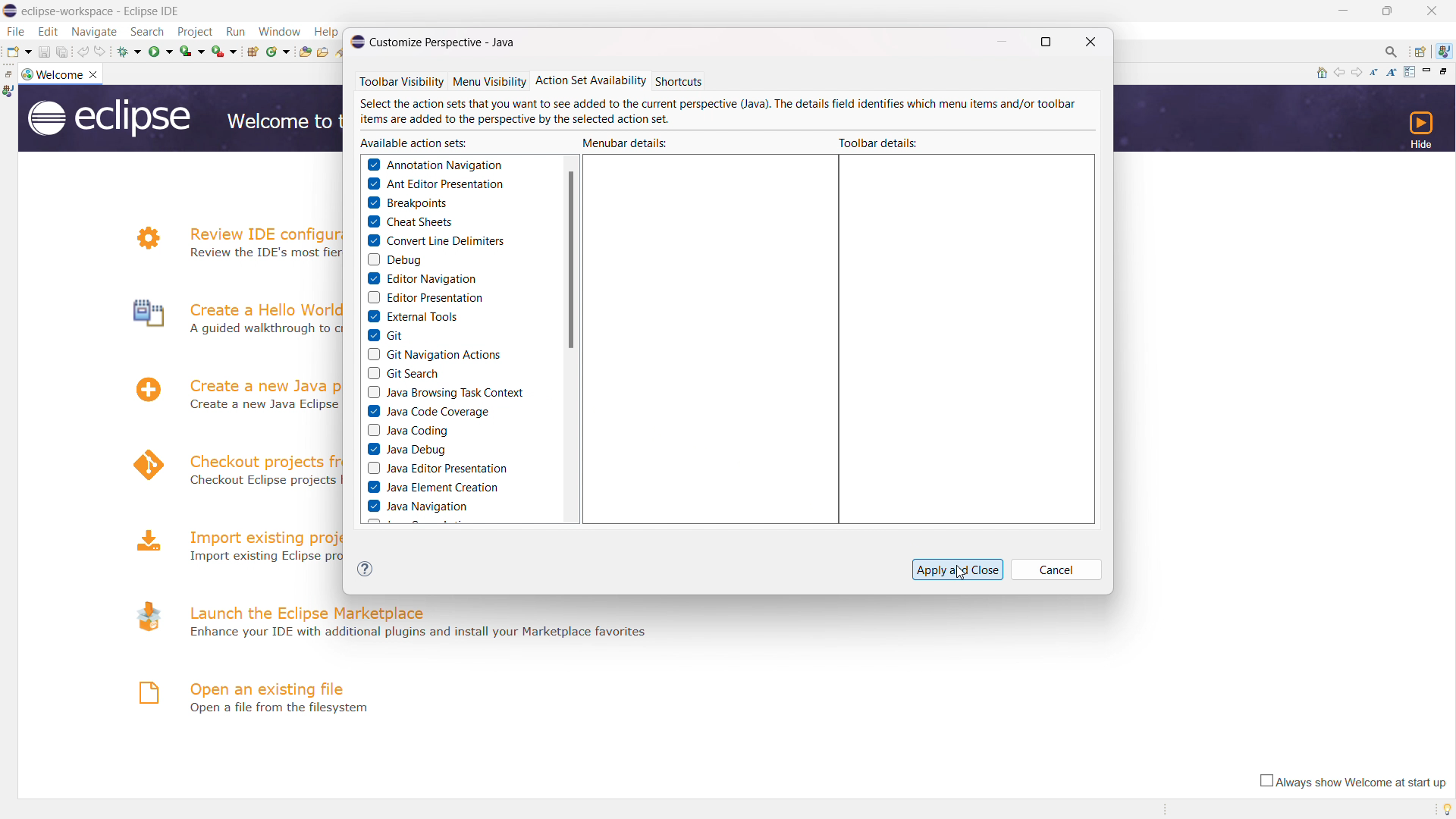 Image resolution: width=1456 pixels, height=819 pixels. I want to click on menubar details, so click(626, 143).